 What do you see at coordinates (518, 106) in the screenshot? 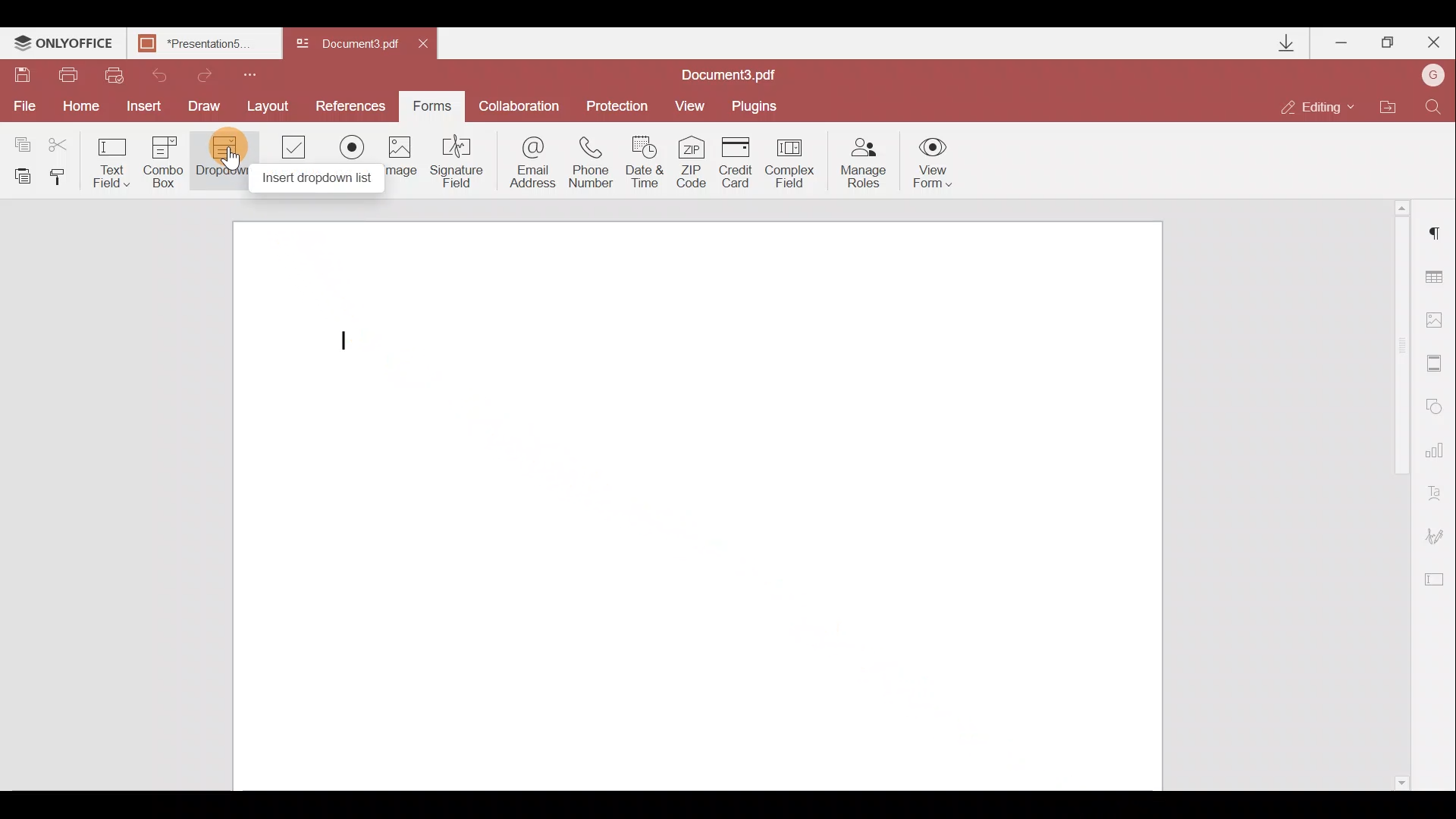
I see `Collaboration` at bounding box center [518, 106].